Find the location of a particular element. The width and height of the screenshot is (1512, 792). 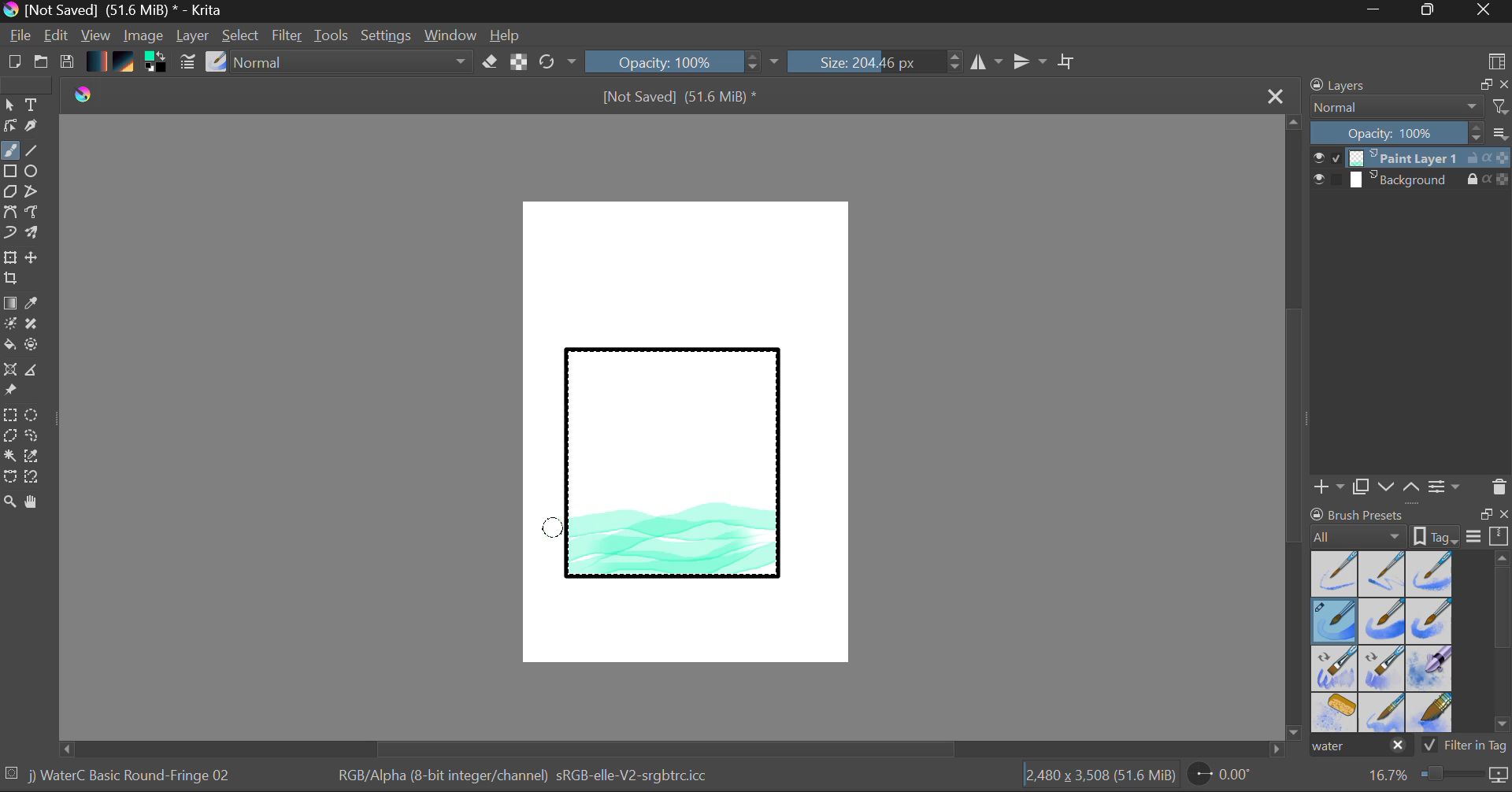

Smart Assistant is located at coordinates (9, 372).